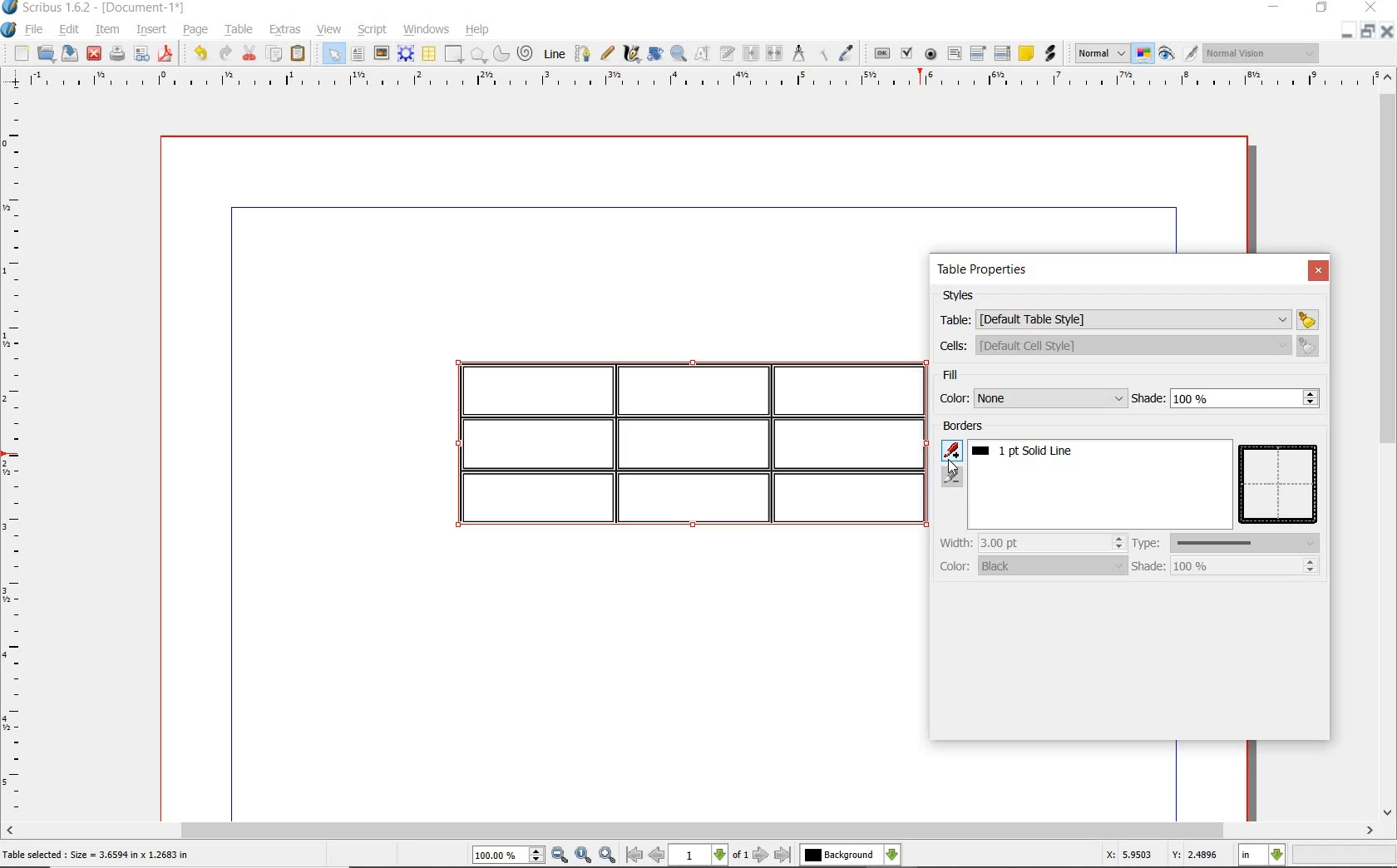 The width and height of the screenshot is (1397, 868). What do you see at coordinates (452, 55) in the screenshot?
I see `shape` at bounding box center [452, 55].